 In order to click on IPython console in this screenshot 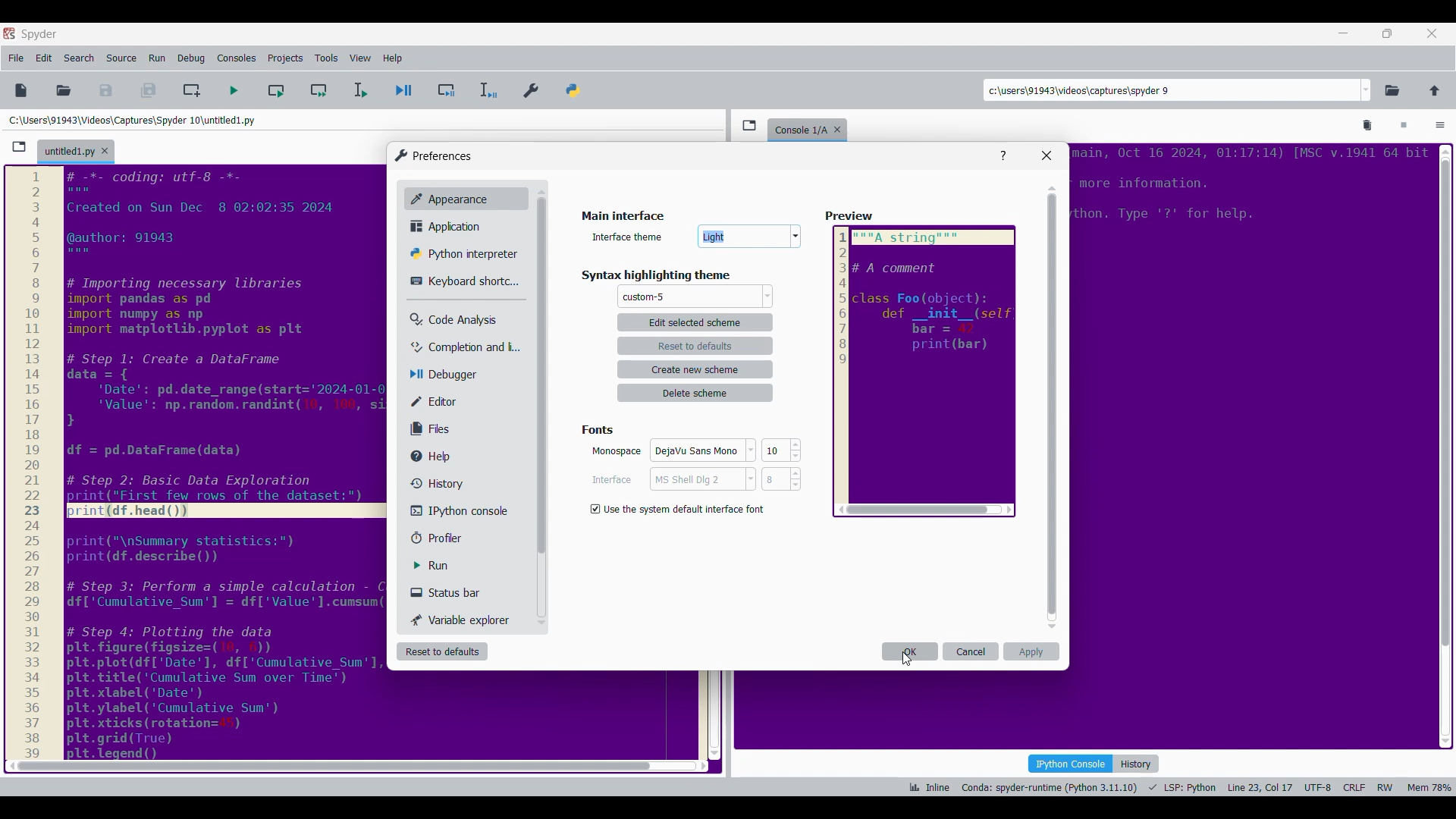, I will do `click(454, 510)`.